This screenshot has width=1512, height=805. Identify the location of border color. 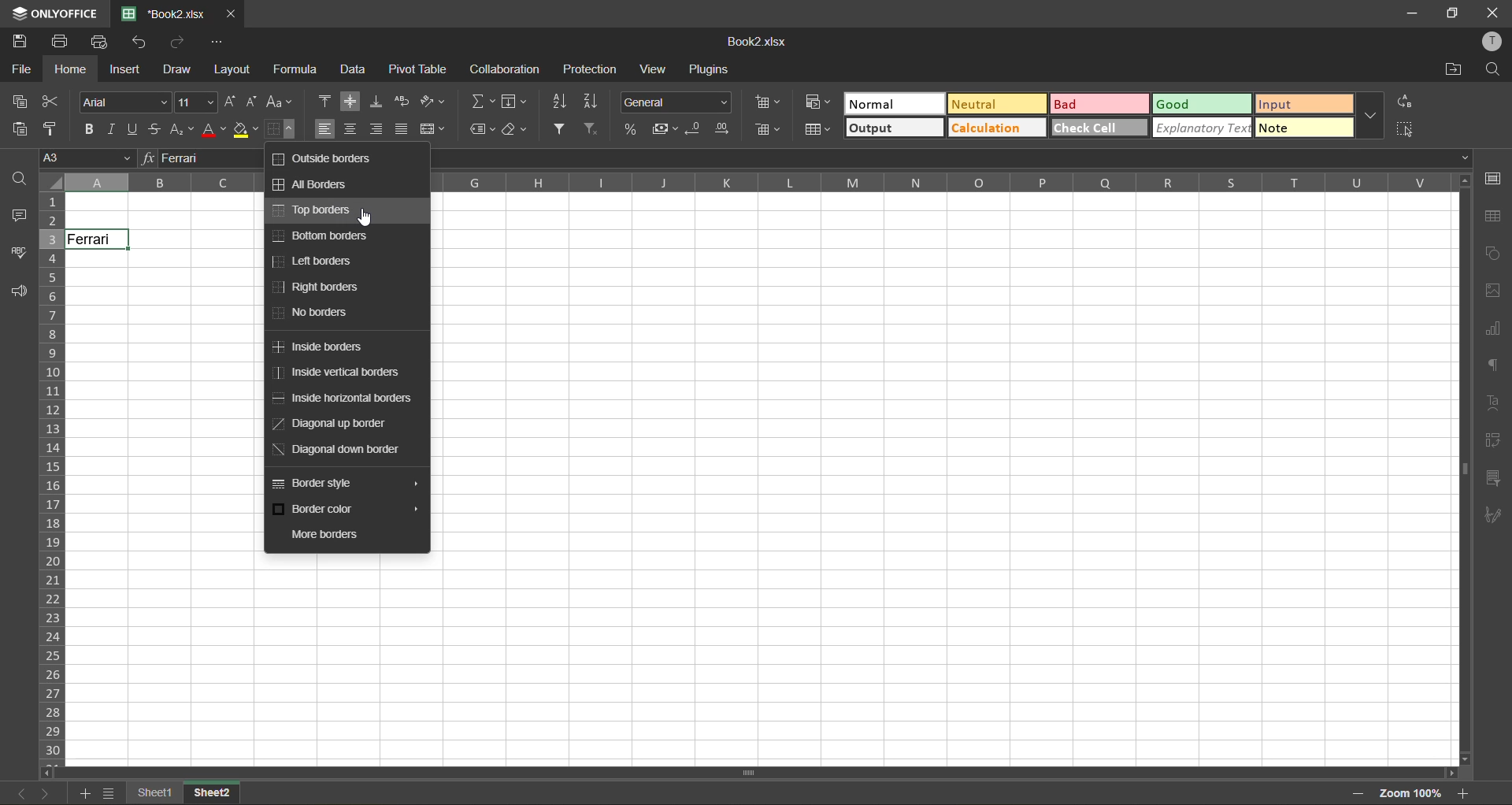
(346, 510).